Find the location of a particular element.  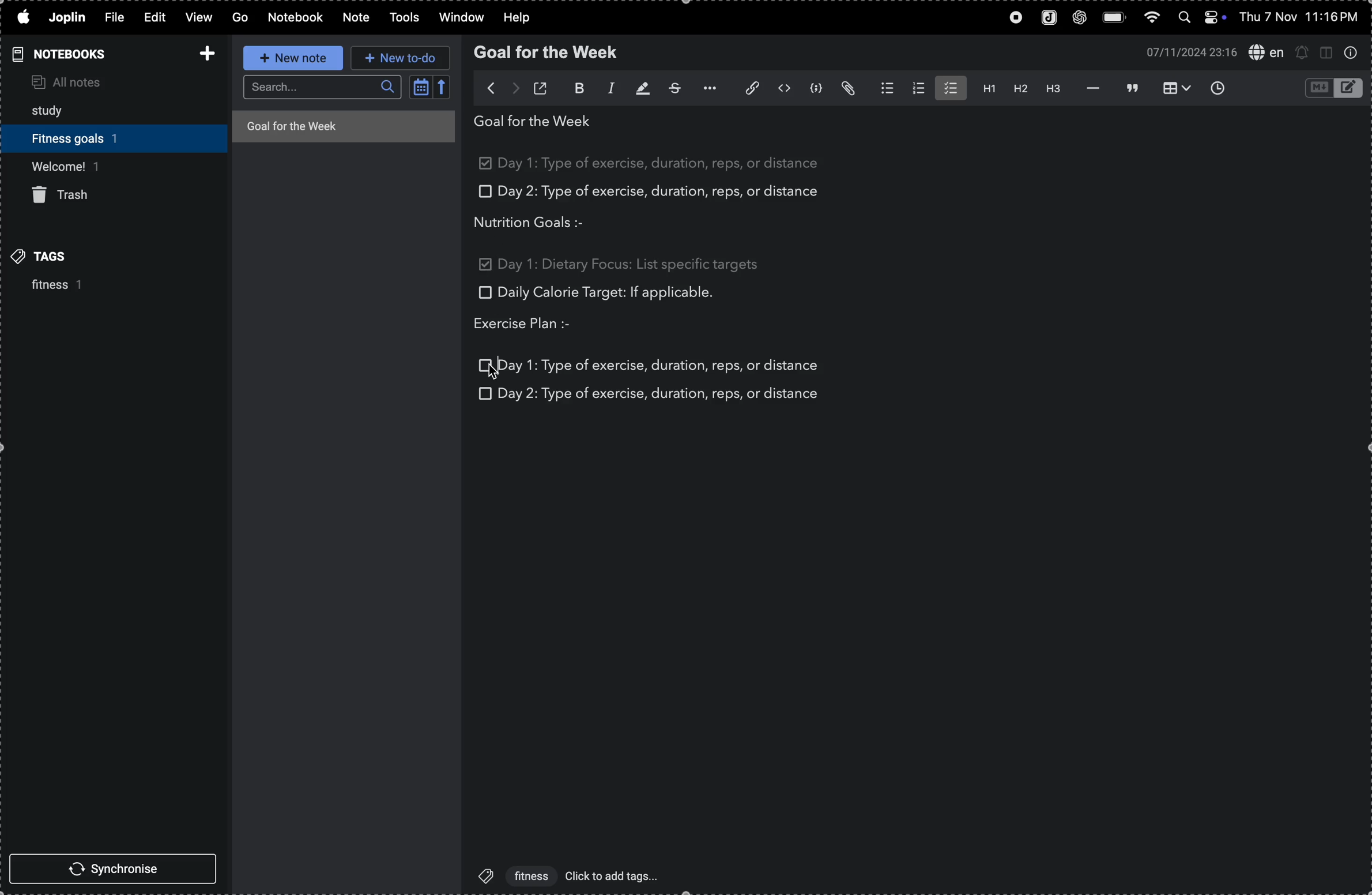

highlight is located at coordinates (638, 89).